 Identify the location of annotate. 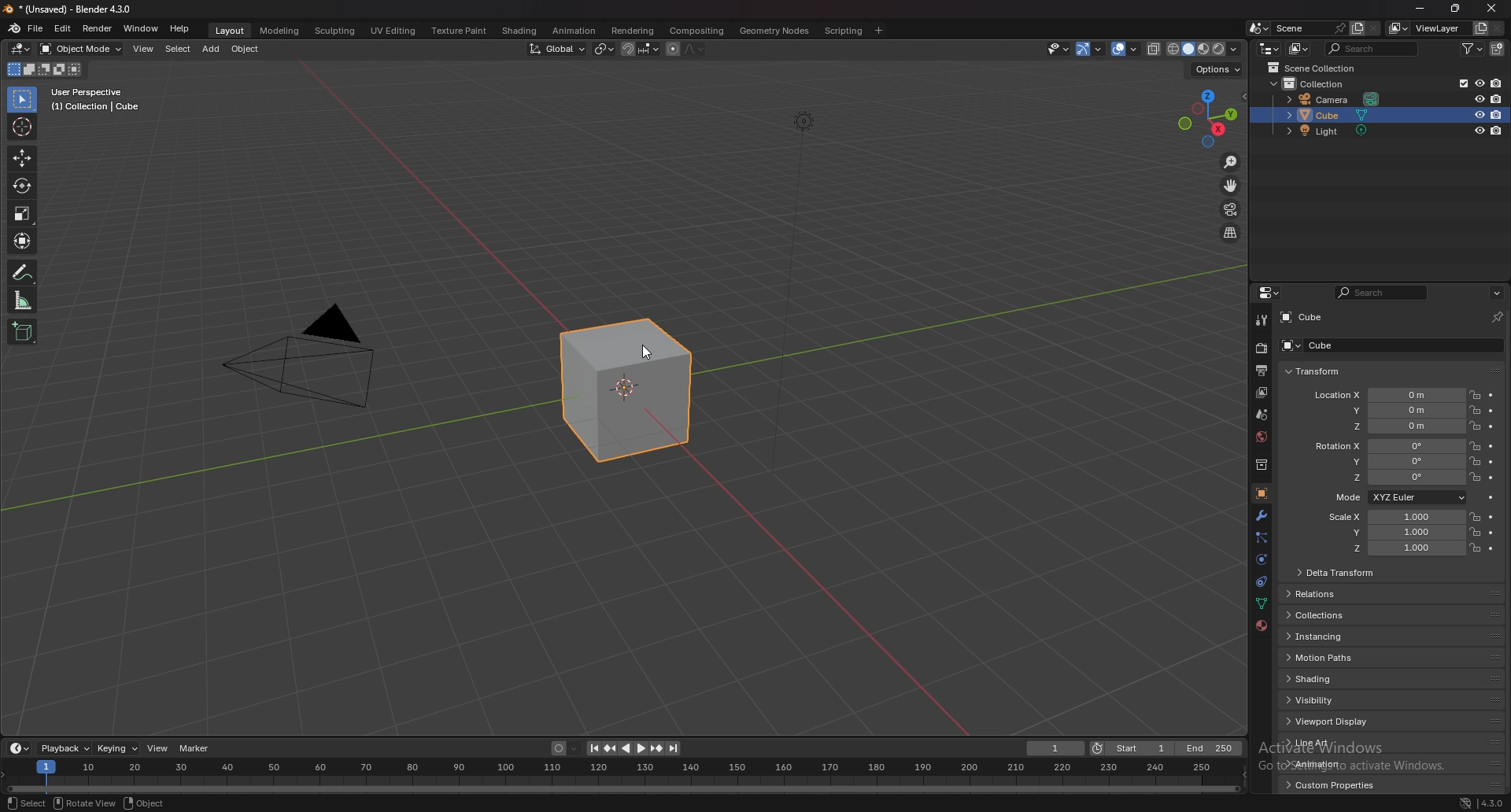
(24, 272).